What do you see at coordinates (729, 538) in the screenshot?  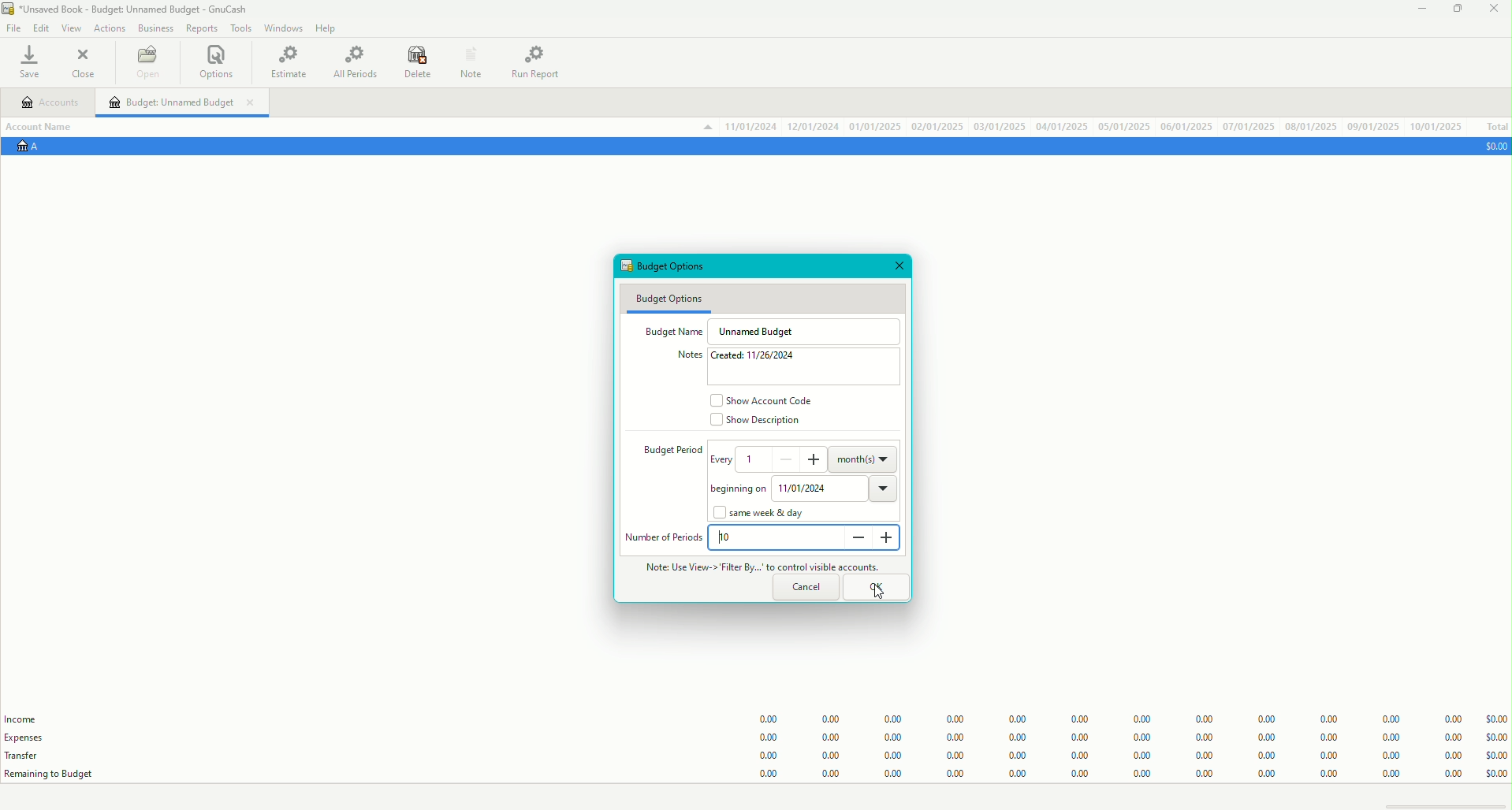 I see `10` at bounding box center [729, 538].